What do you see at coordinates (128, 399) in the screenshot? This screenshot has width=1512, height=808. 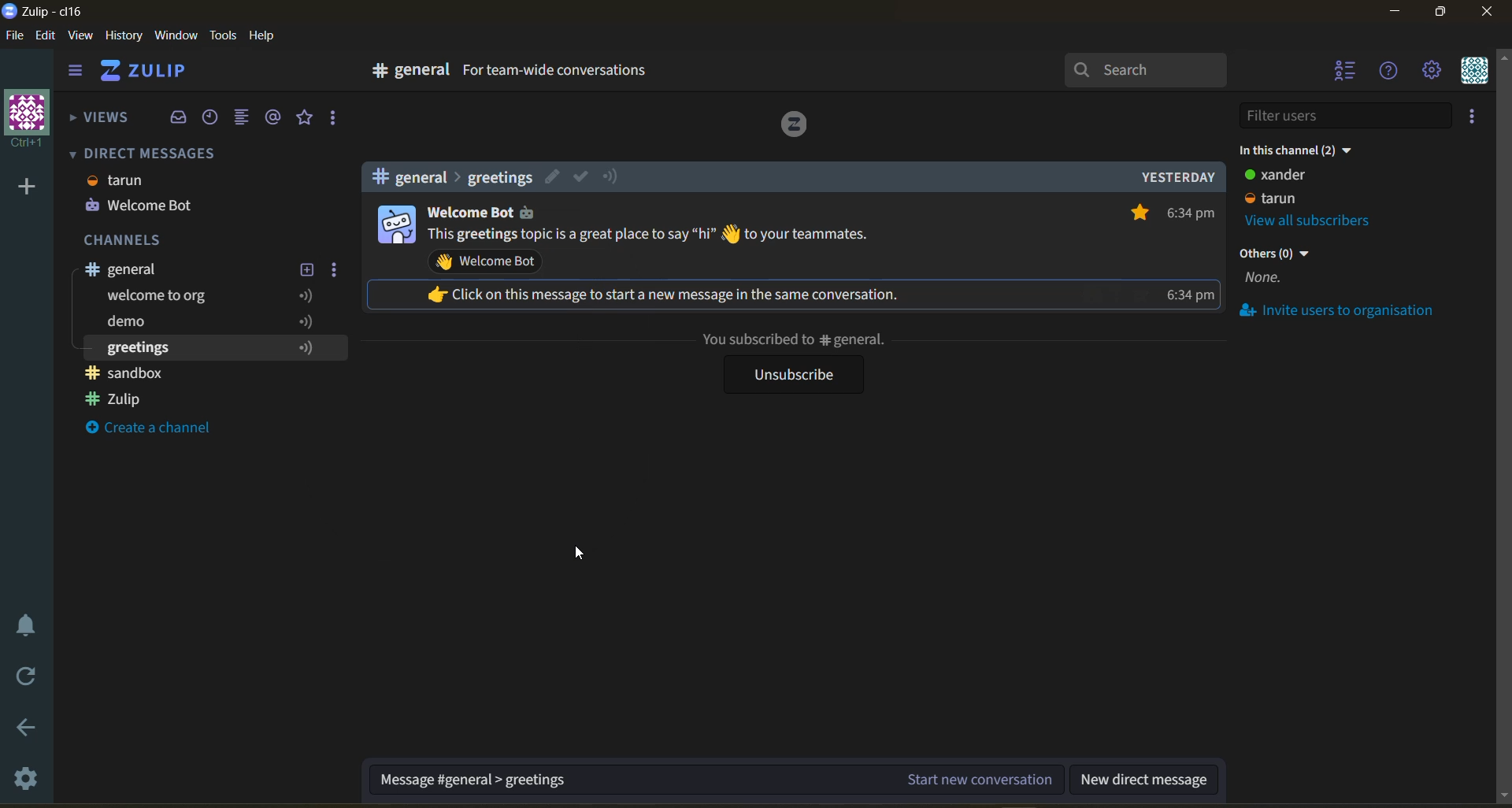 I see `zulip` at bounding box center [128, 399].